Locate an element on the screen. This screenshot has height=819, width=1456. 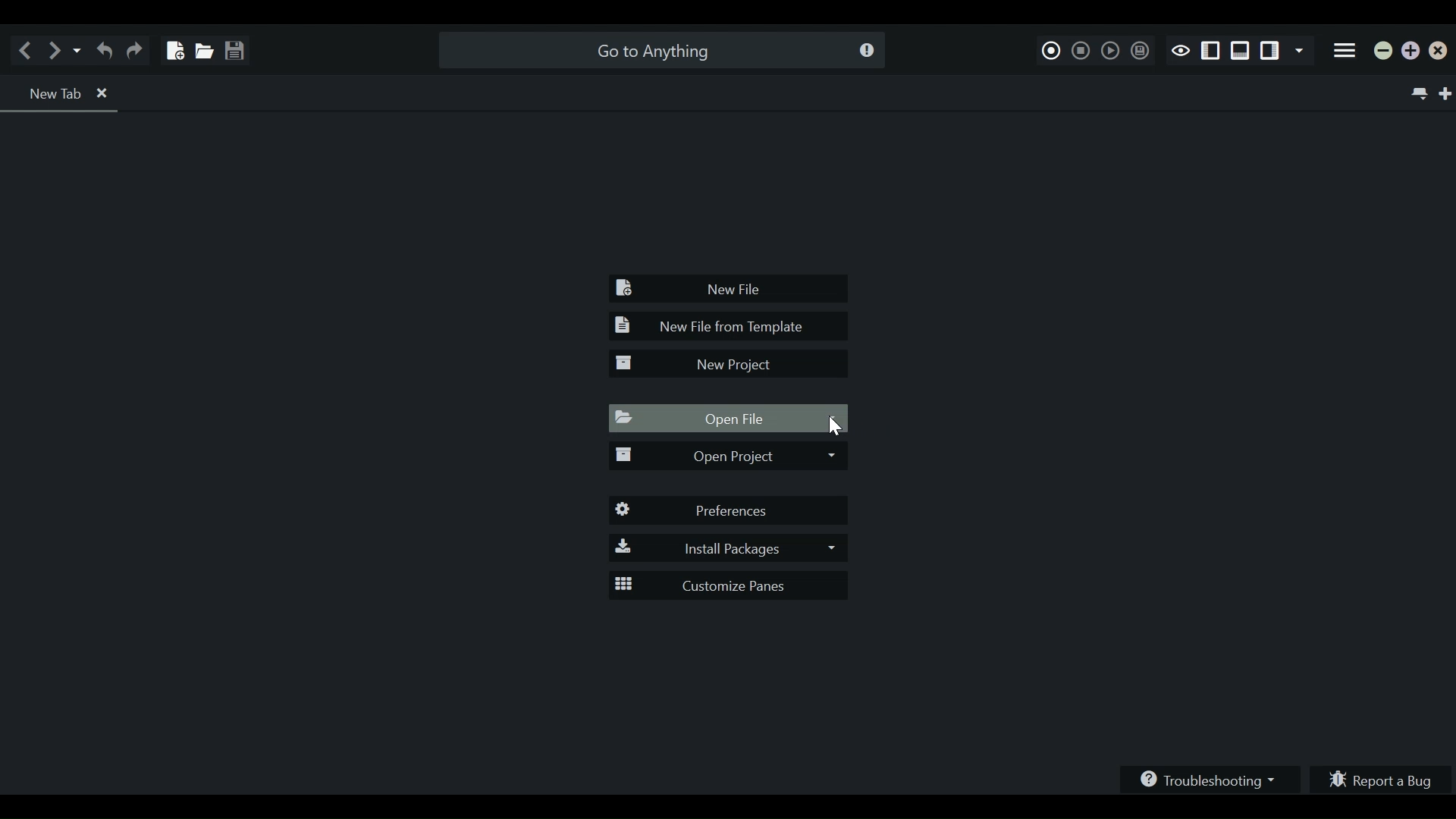
New File is located at coordinates (730, 290).